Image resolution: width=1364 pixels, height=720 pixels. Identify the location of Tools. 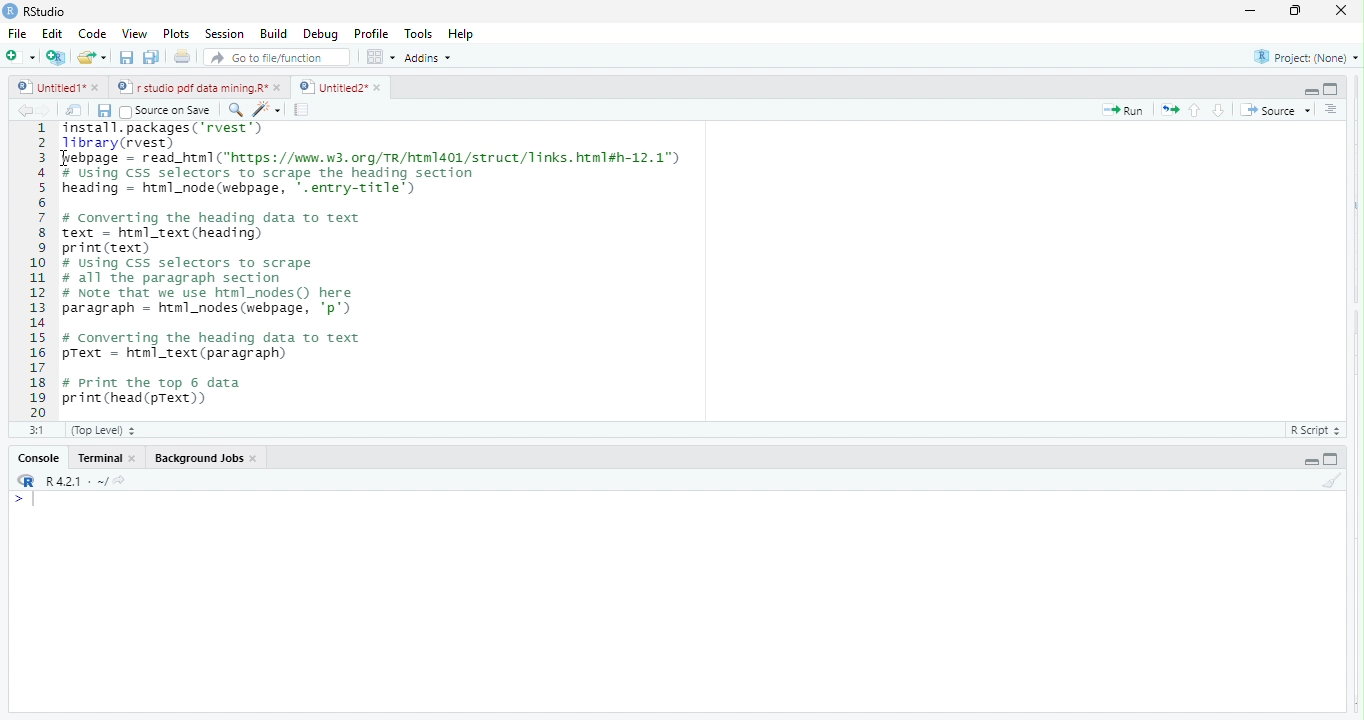
(420, 33).